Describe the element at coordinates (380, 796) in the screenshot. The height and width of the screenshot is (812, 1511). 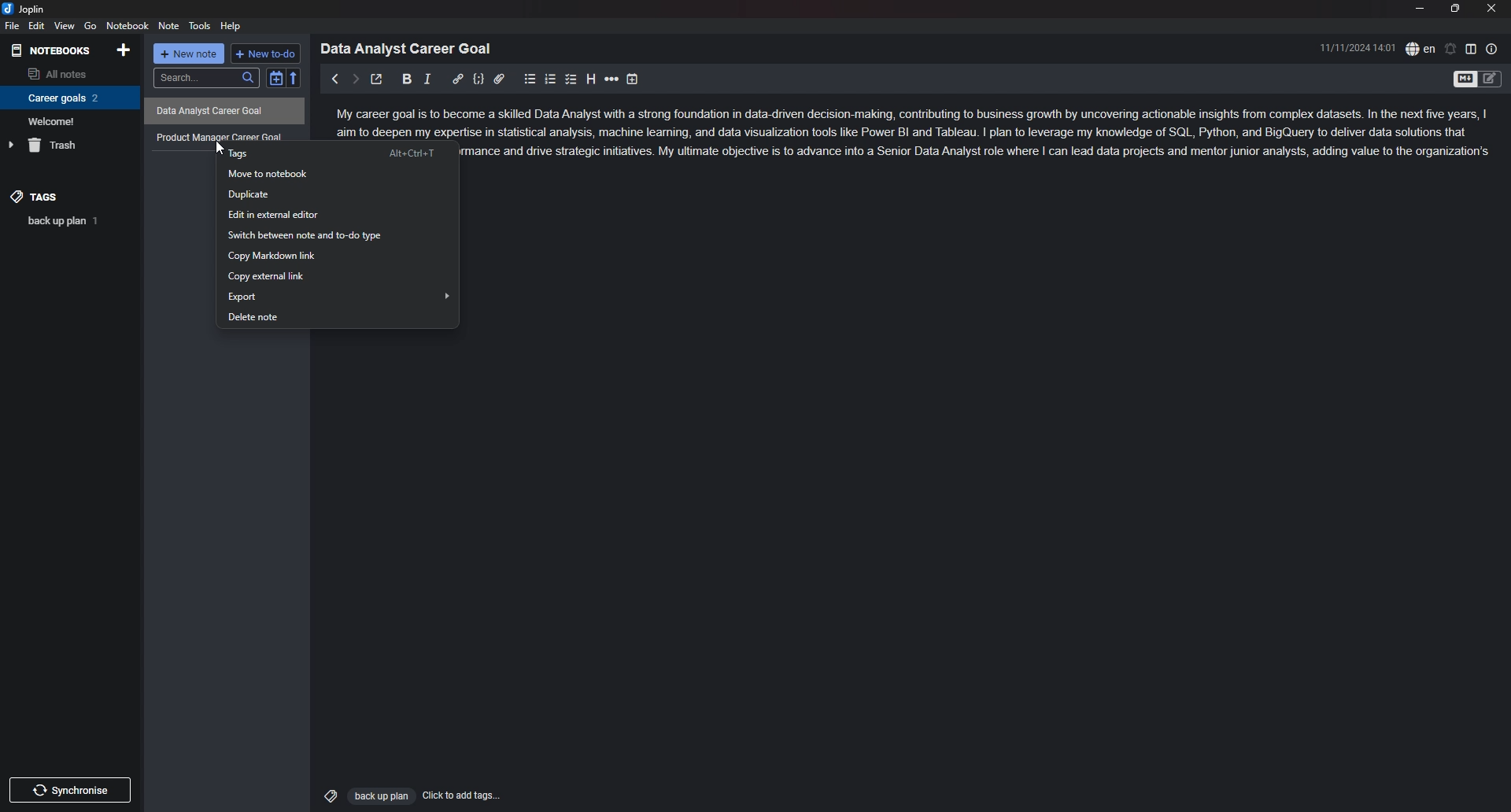
I see `Back up plan` at that location.